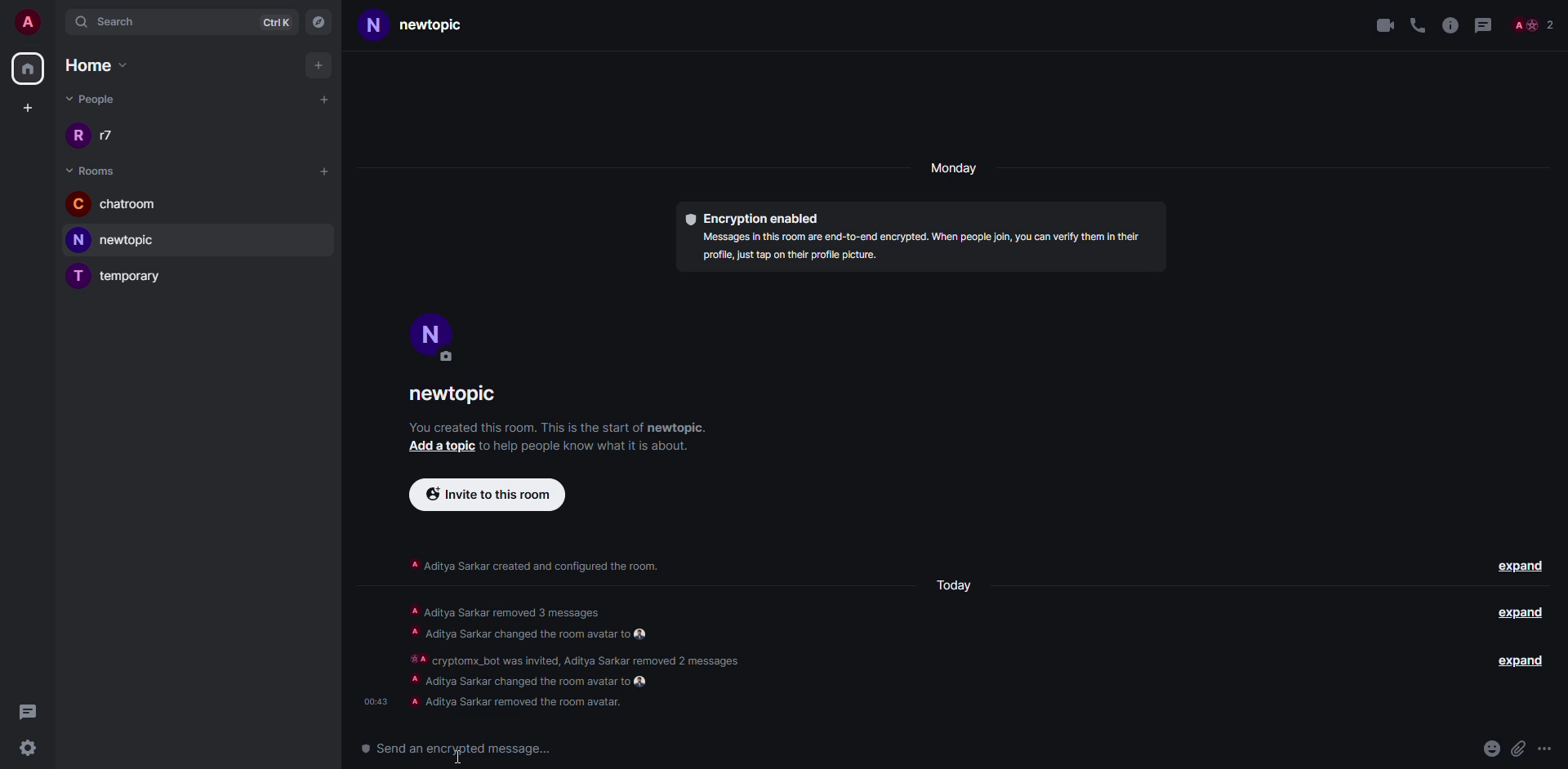  Describe the element at coordinates (436, 447) in the screenshot. I see `add topic` at that location.